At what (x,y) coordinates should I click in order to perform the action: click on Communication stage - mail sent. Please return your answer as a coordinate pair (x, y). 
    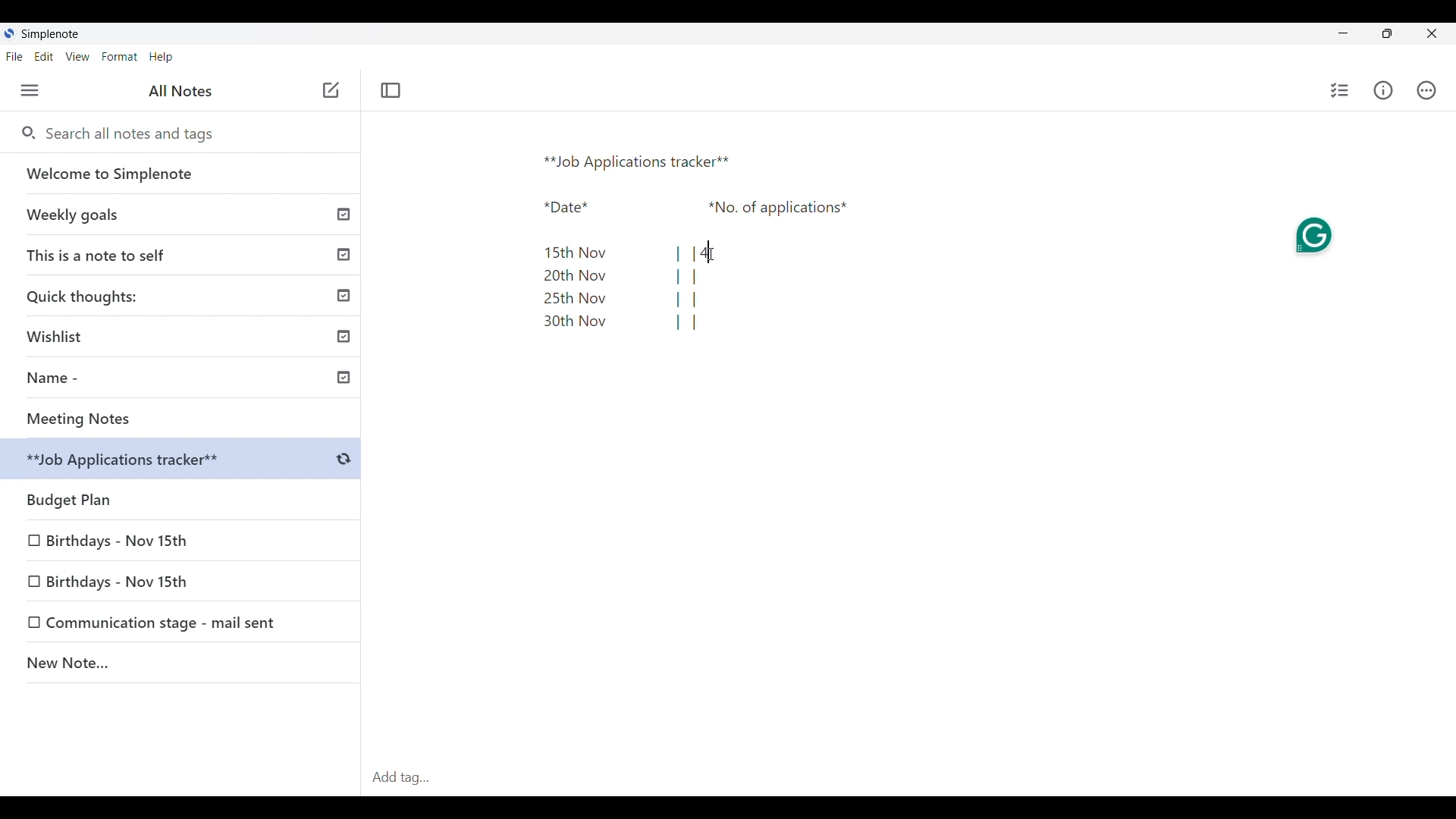
    Looking at the image, I should click on (166, 623).